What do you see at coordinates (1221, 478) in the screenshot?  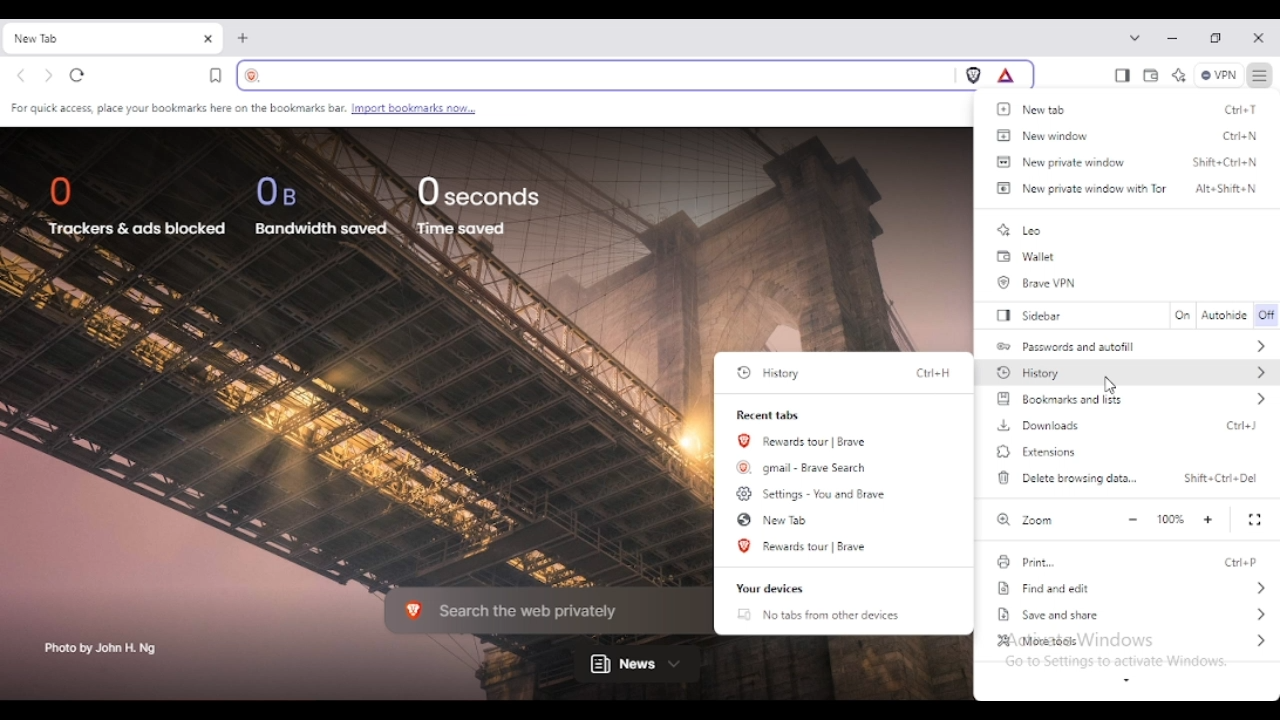 I see `shortcut for delete browsing data` at bounding box center [1221, 478].